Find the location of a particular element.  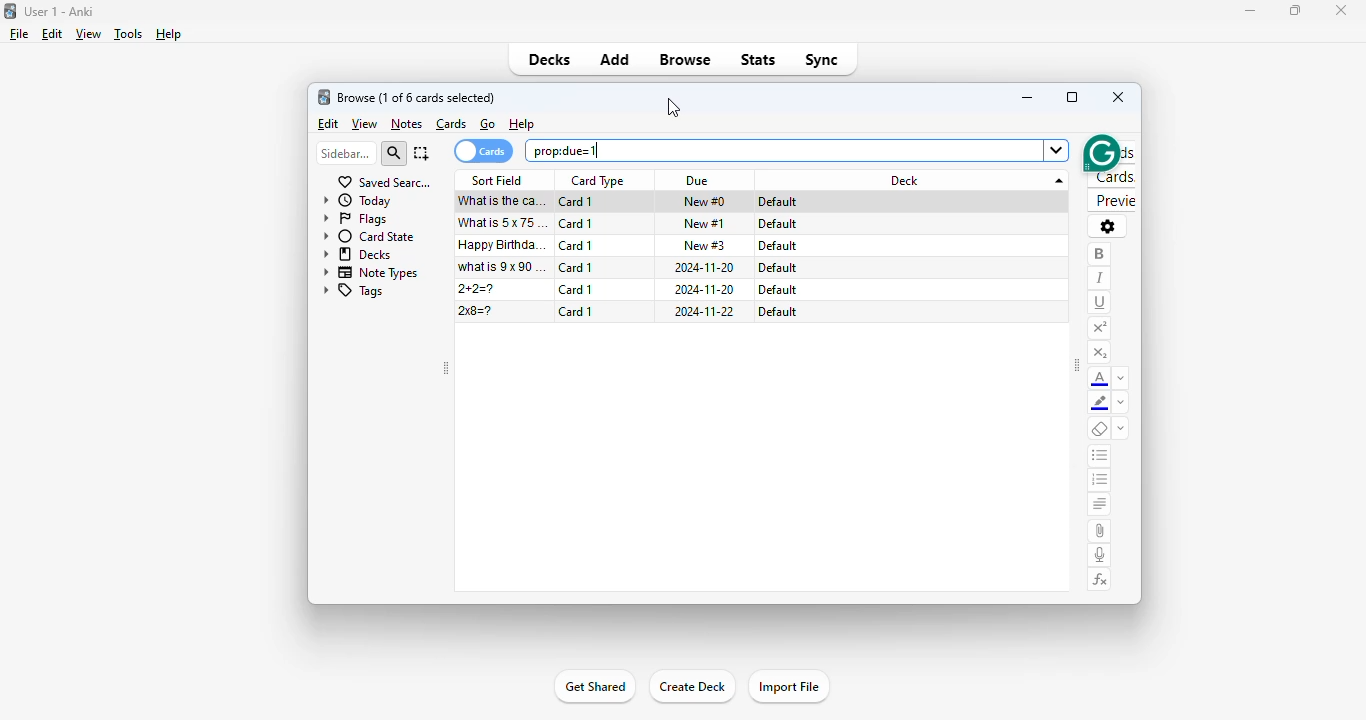

close is located at coordinates (1340, 9).